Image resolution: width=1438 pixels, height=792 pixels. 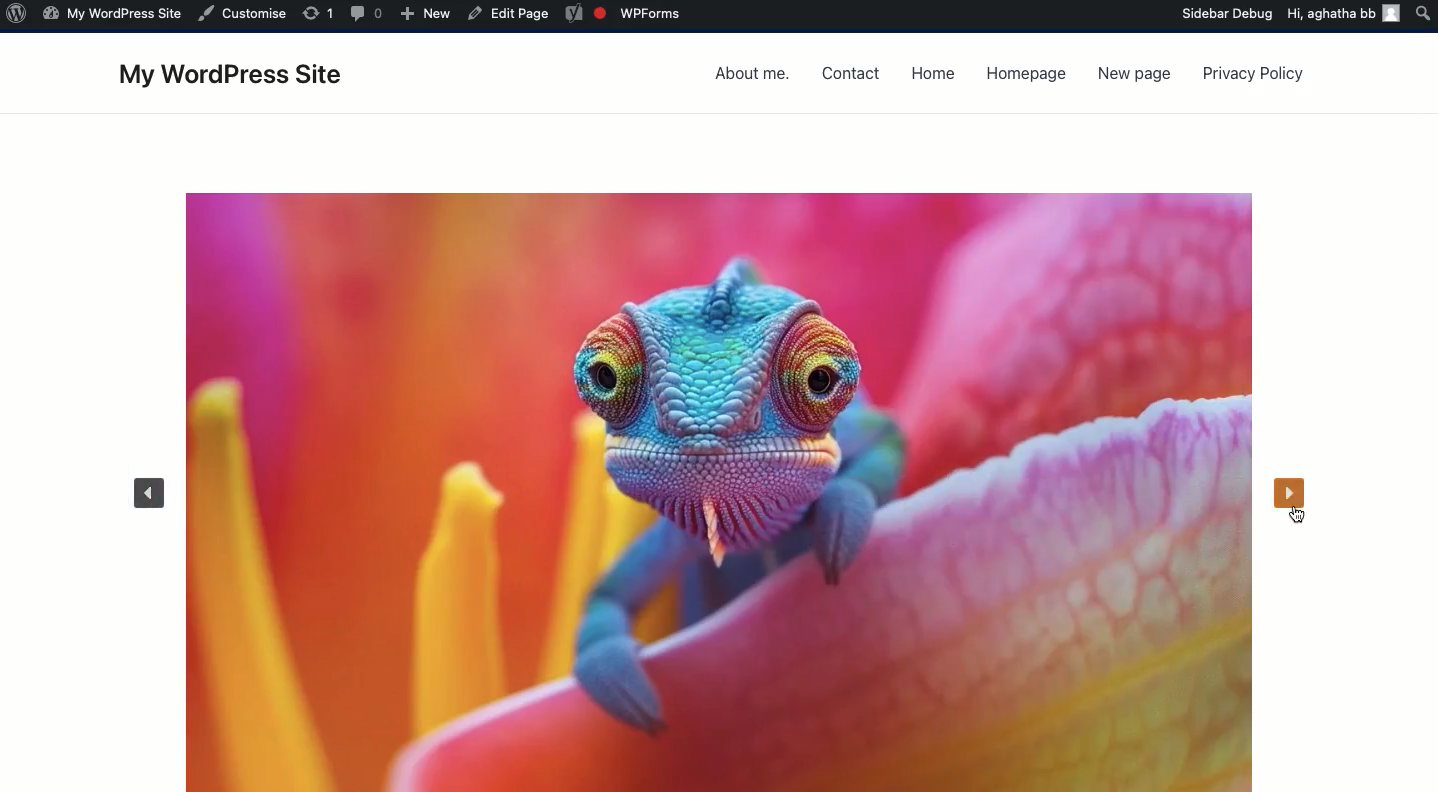 What do you see at coordinates (368, 14) in the screenshot?
I see `comments` at bounding box center [368, 14].